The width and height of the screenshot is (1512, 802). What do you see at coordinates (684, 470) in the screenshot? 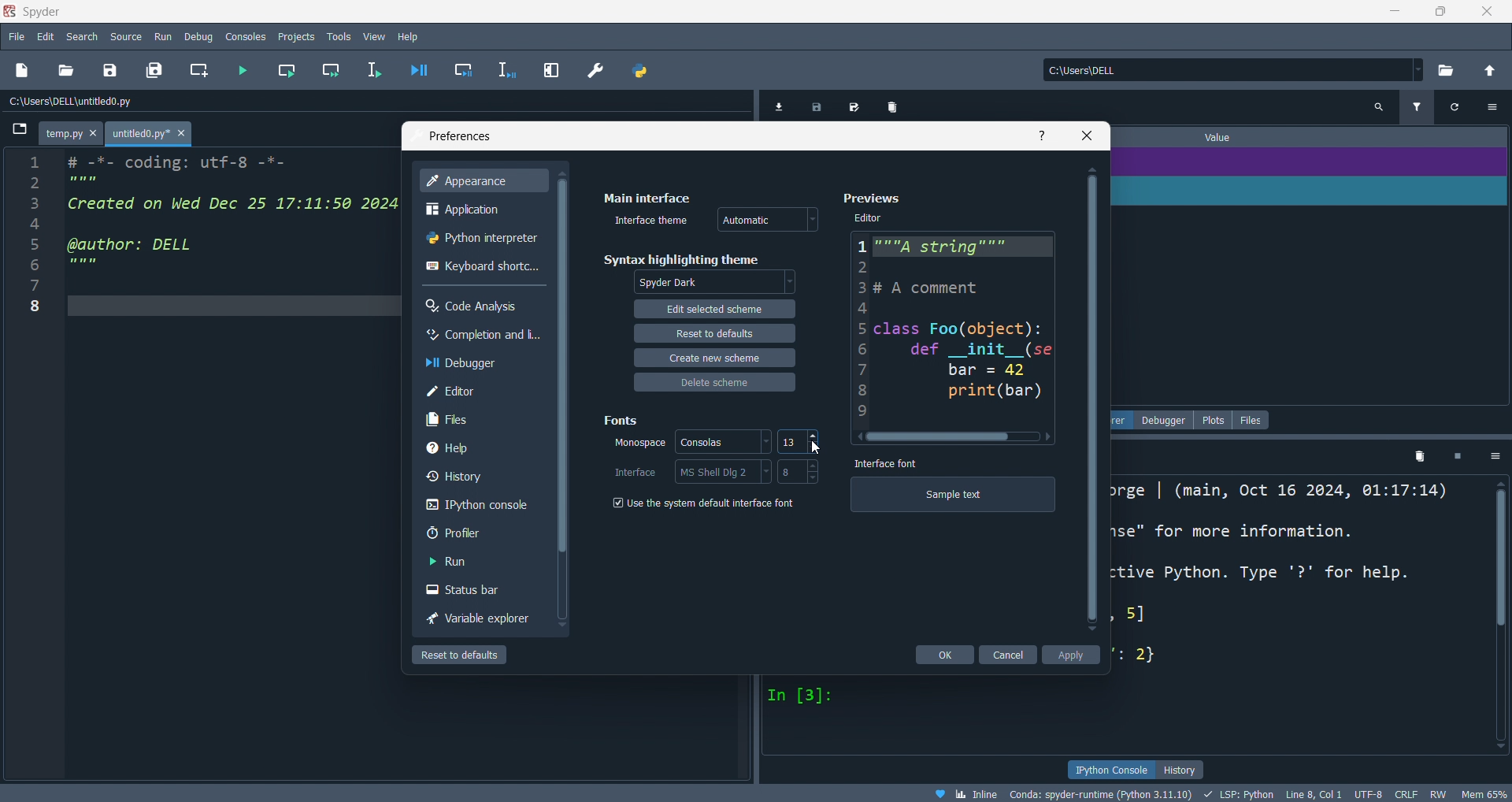
I see `interface: MS Shell Dlg 2` at bounding box center [684, 470].